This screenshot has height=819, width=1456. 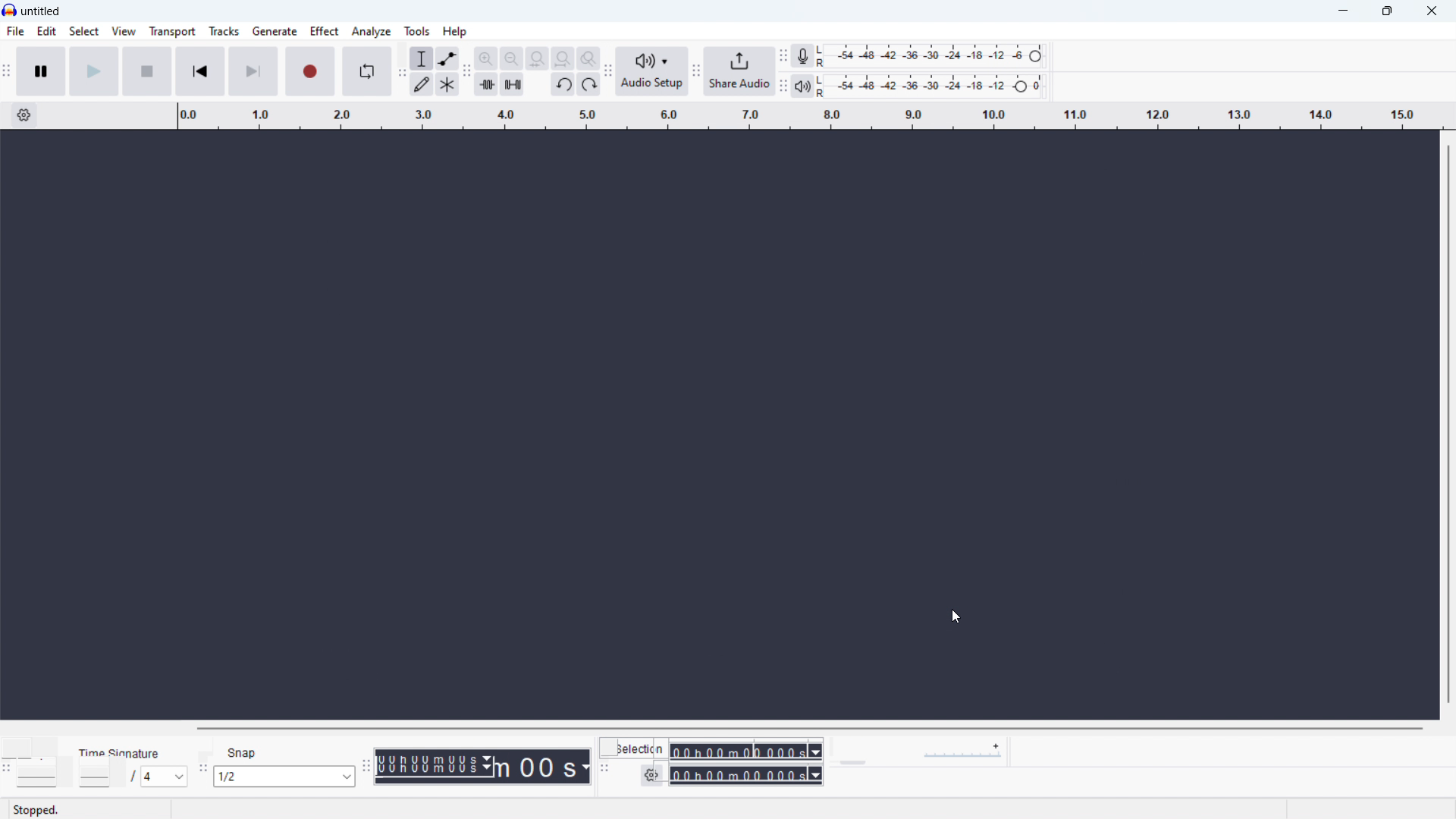 What do you see at coordinates (8, 767) in the screenshot?
I see `time signature toolbar` at bounding box center [8, 767].